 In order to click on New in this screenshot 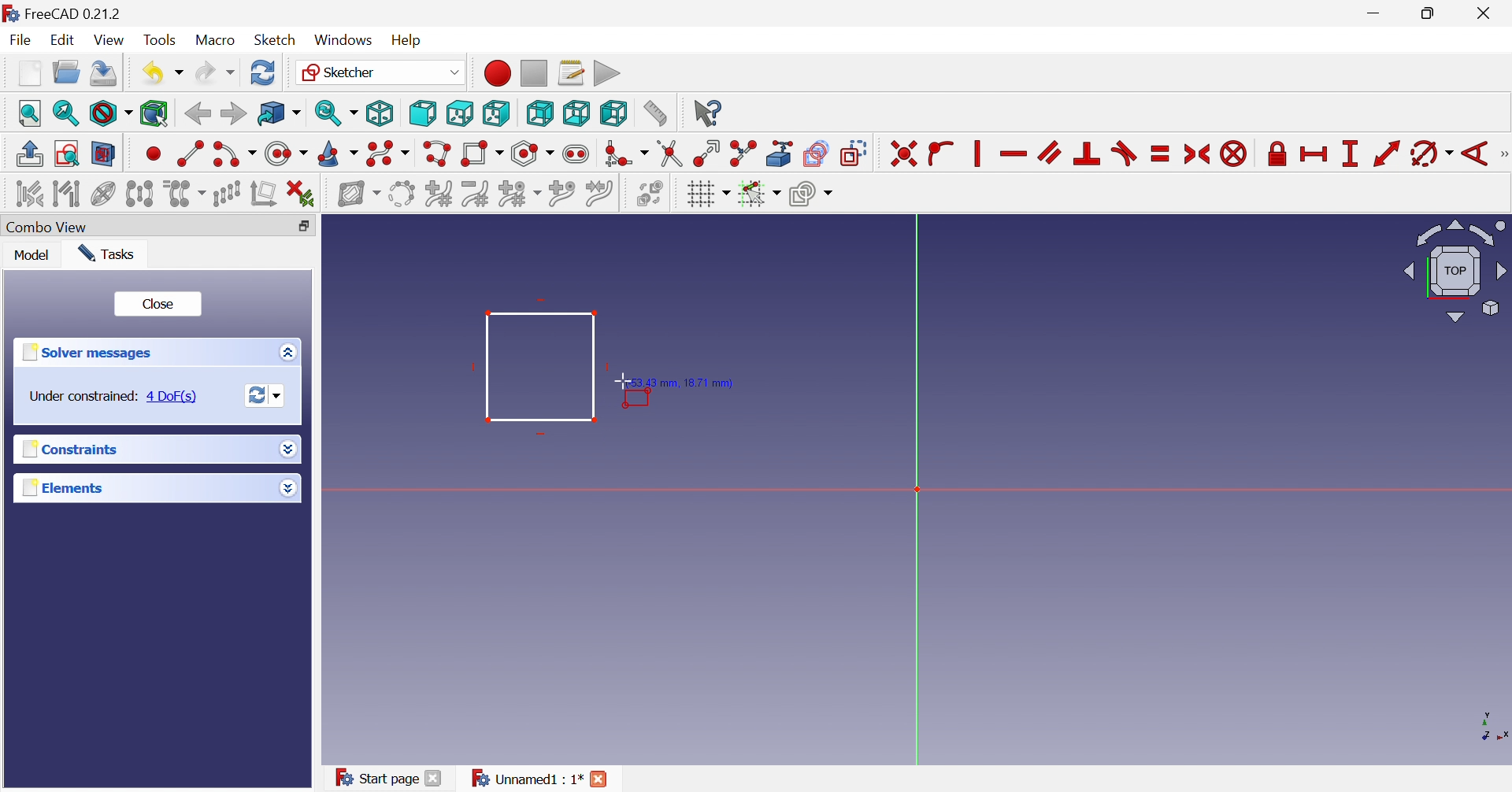, I will do `click(29, 73)`.